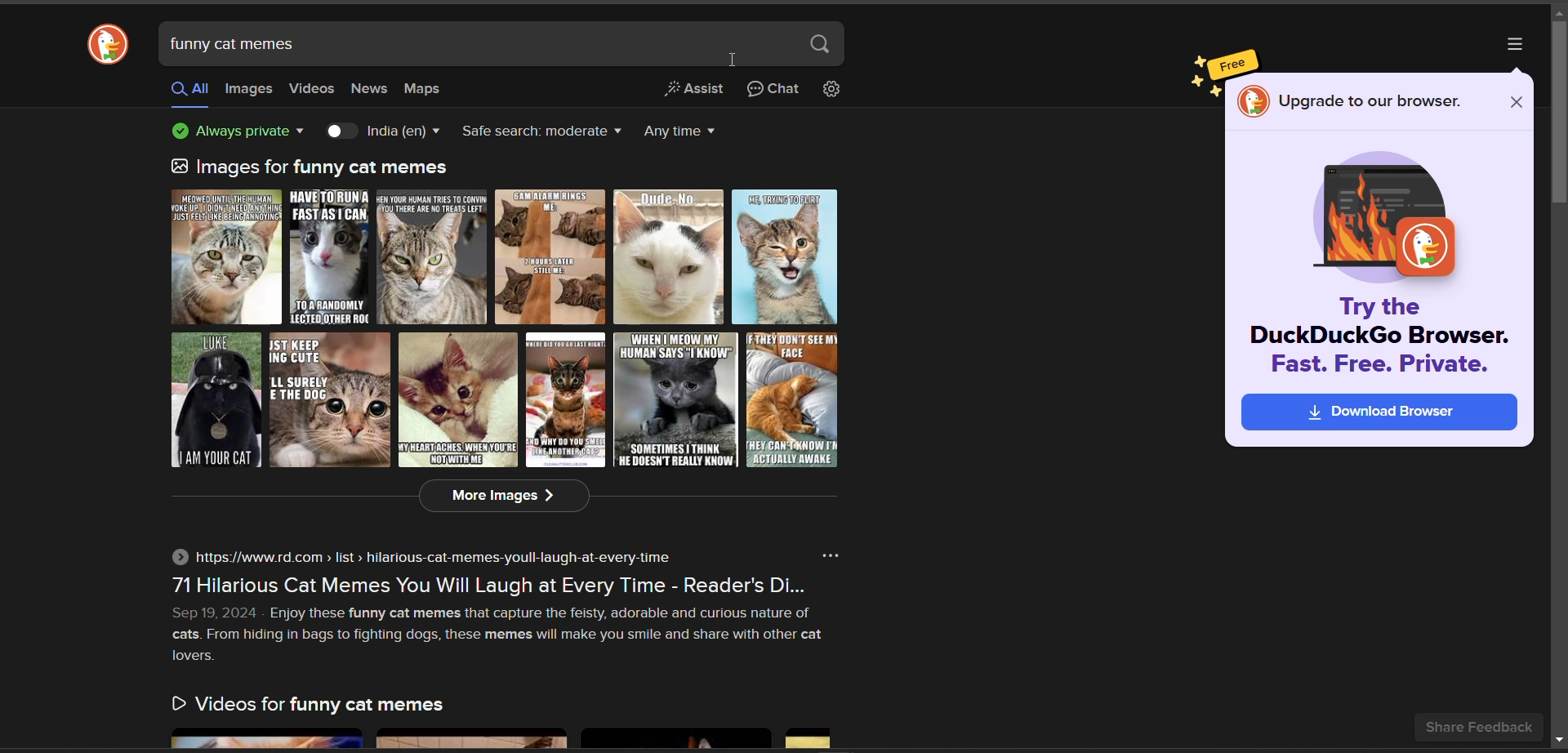  I want to click on icon, so click(1254, 101).